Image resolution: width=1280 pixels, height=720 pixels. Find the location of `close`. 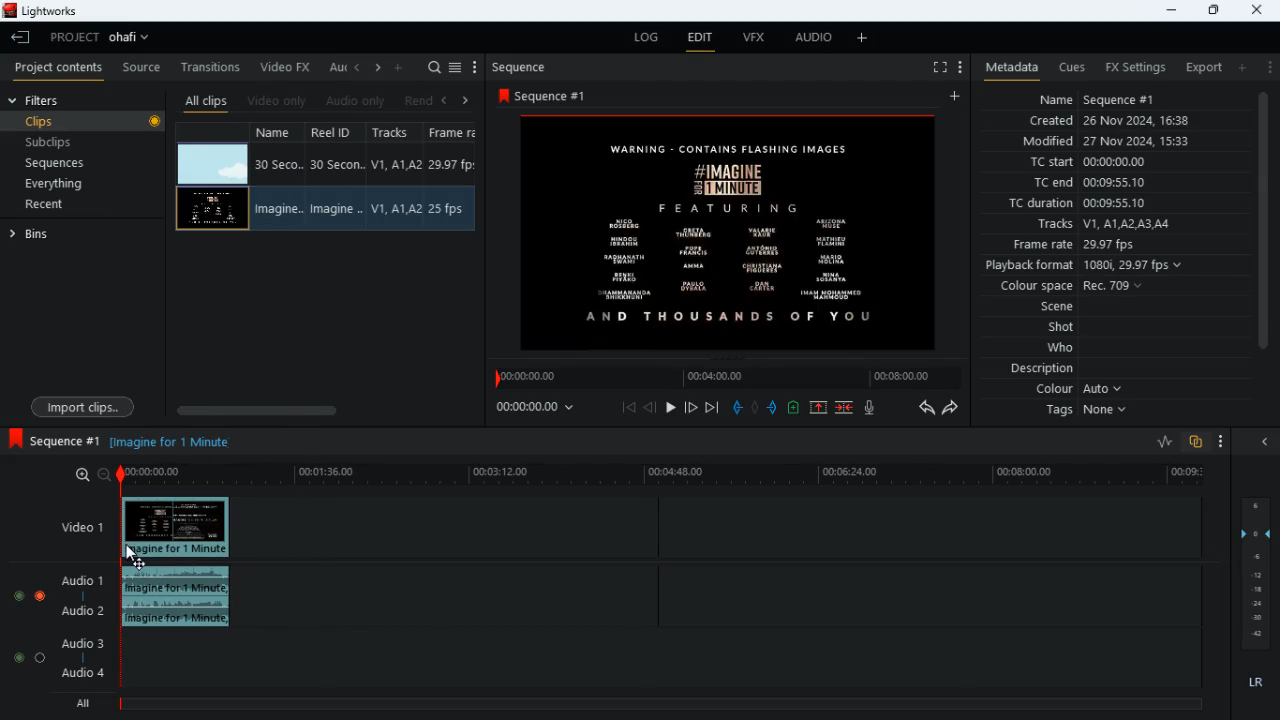

close is located at coordinates (1268, 442).